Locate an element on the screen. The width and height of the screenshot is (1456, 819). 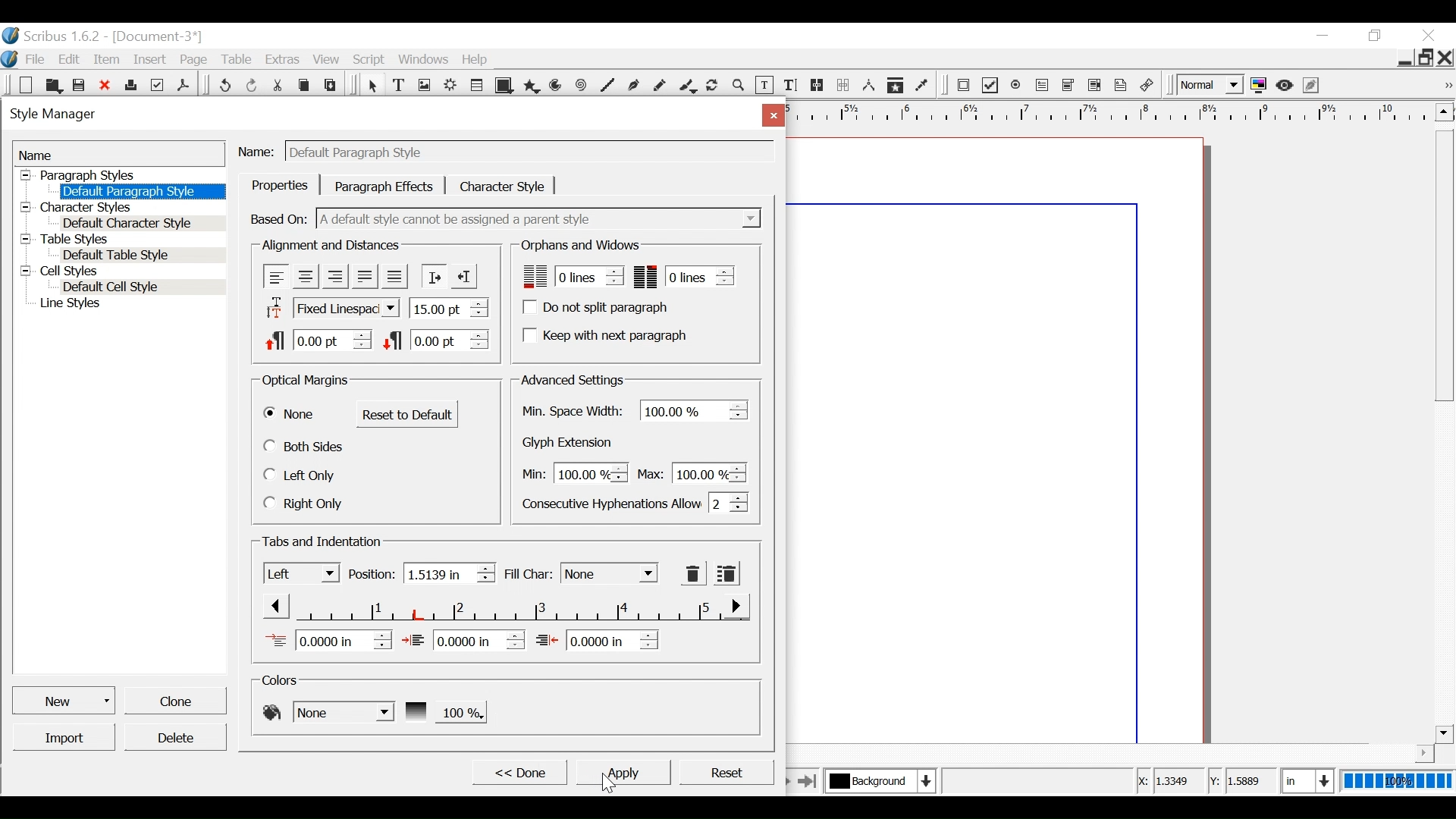
Right Indent  is located at coordinates (597, 639).